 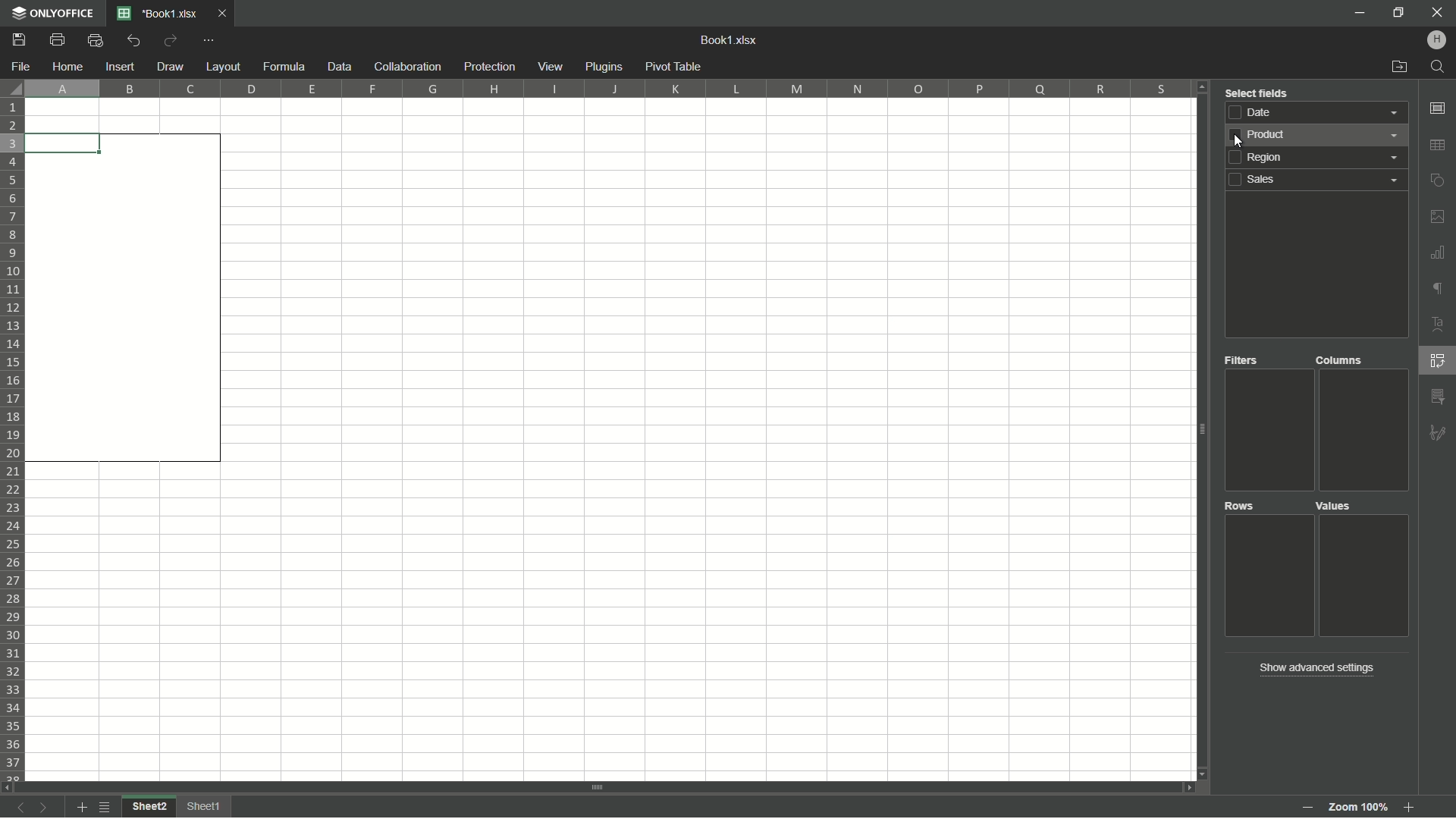 I want to click on hp, so click(x=1438, y=39).